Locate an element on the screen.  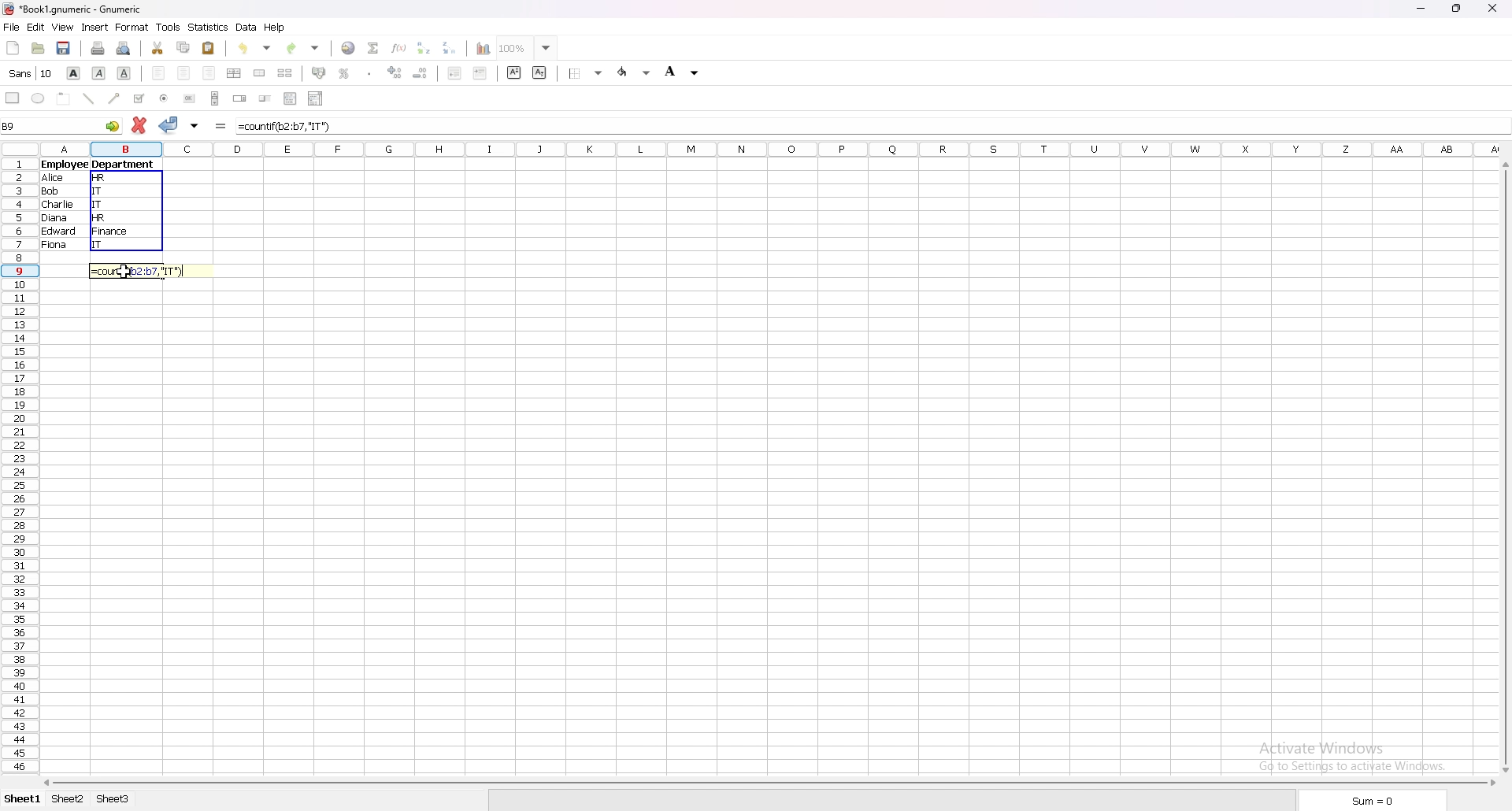
Alice is located at coordinates (52, 178).